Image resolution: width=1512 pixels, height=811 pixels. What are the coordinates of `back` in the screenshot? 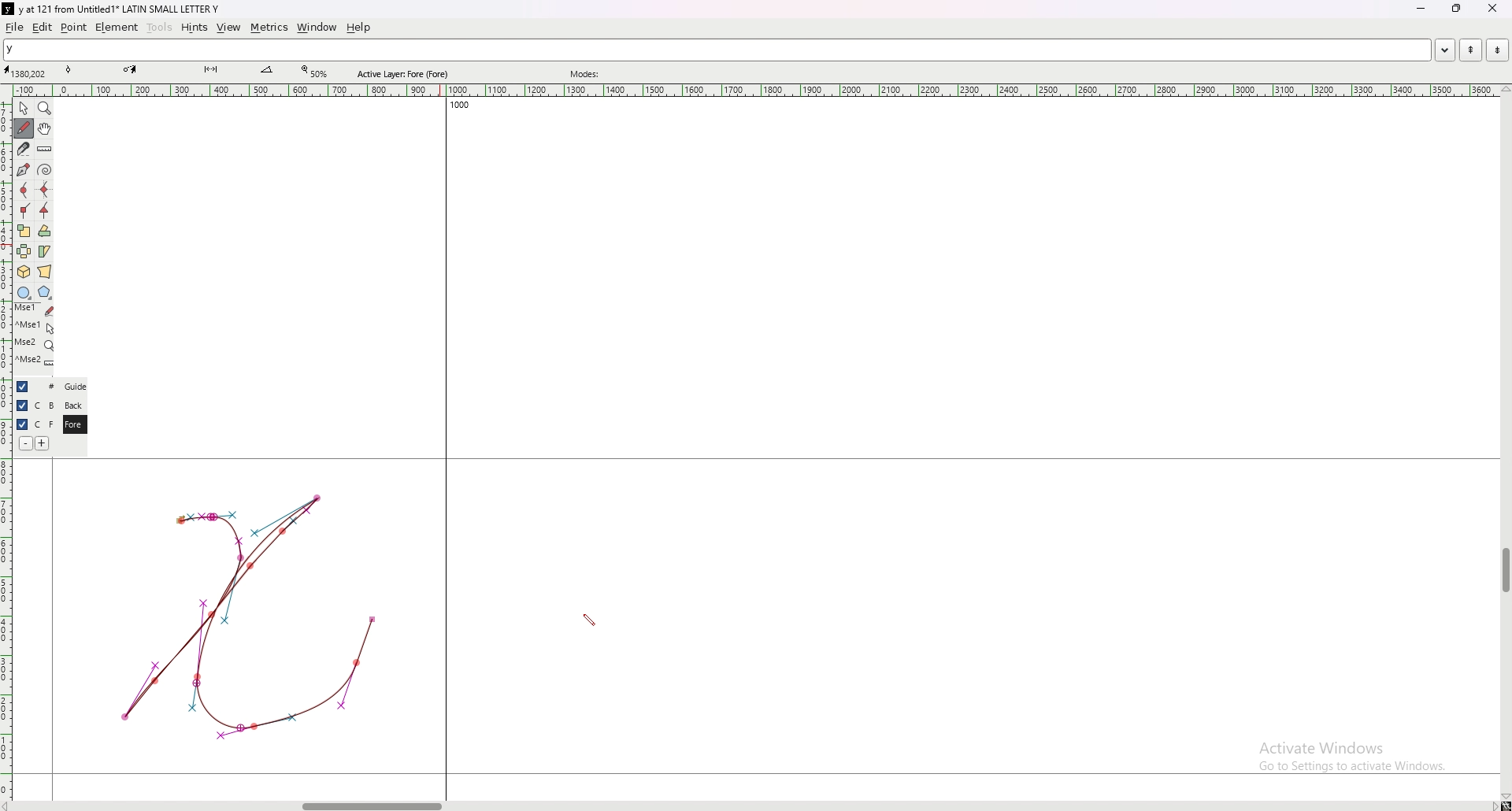 It's located at (73, 405).